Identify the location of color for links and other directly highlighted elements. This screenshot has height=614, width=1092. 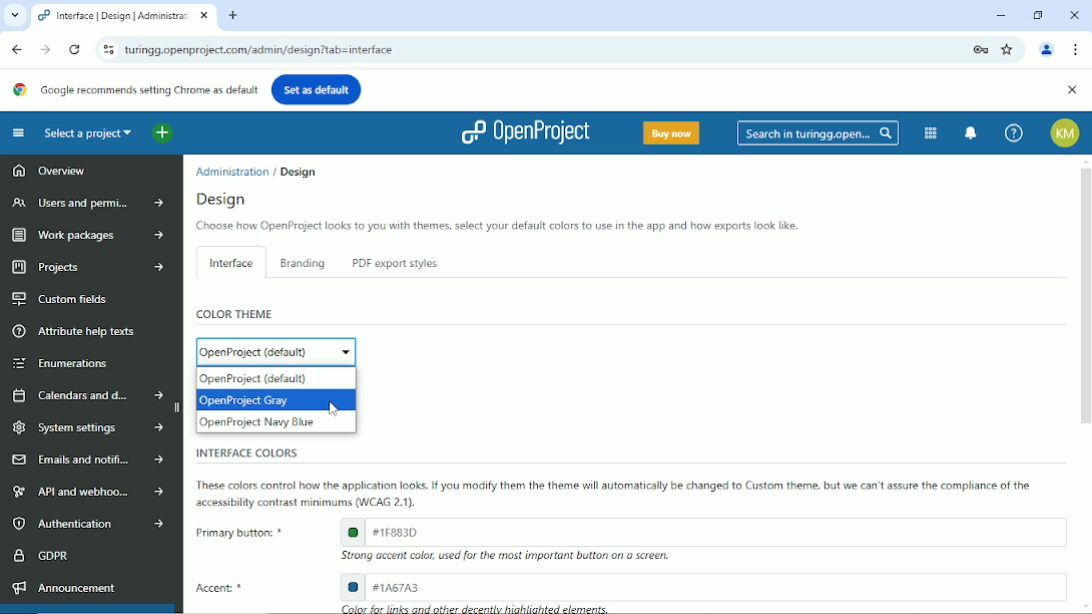
(477, 608).